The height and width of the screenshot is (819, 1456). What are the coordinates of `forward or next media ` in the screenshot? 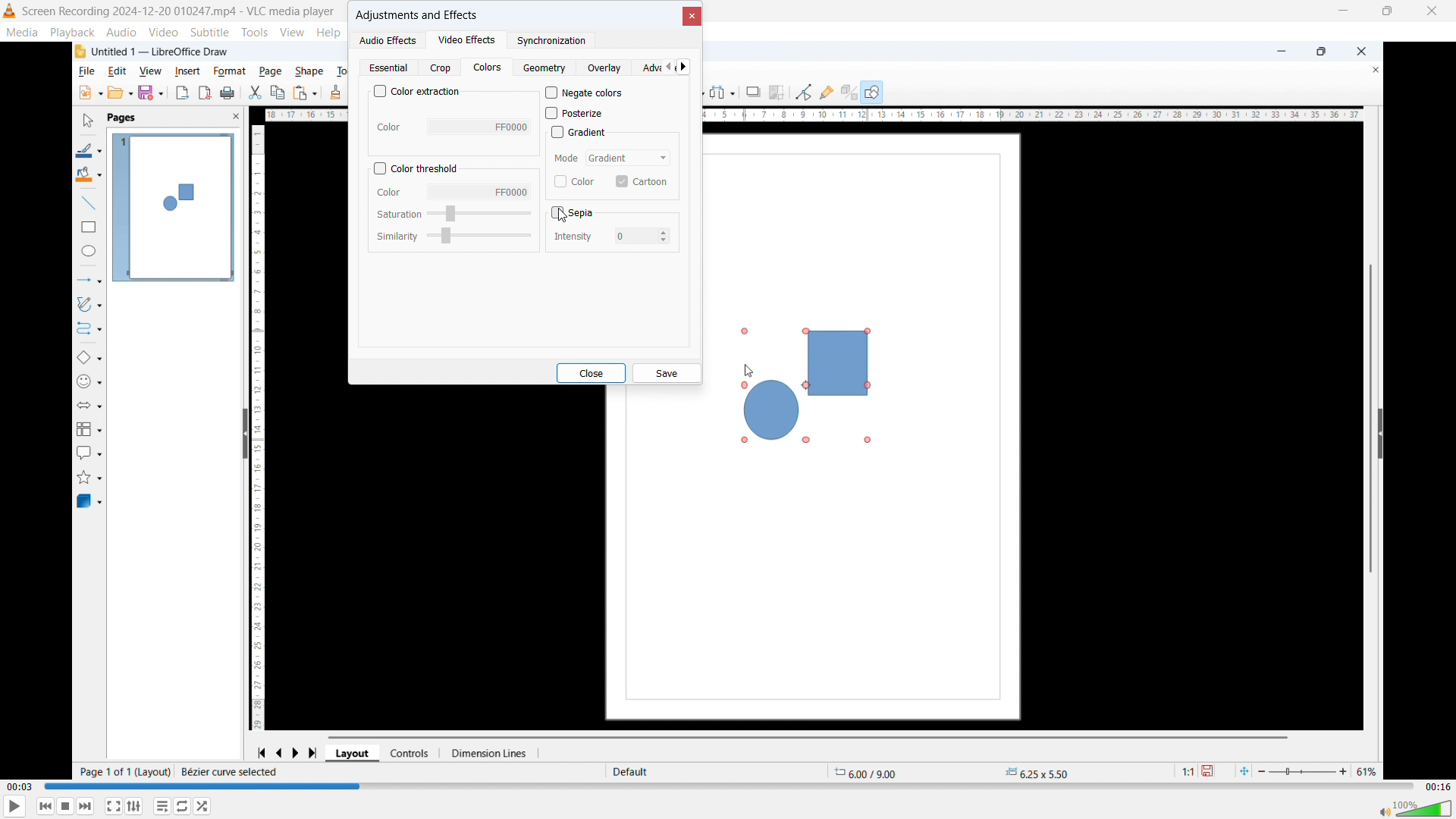 It's located at (85, 807).